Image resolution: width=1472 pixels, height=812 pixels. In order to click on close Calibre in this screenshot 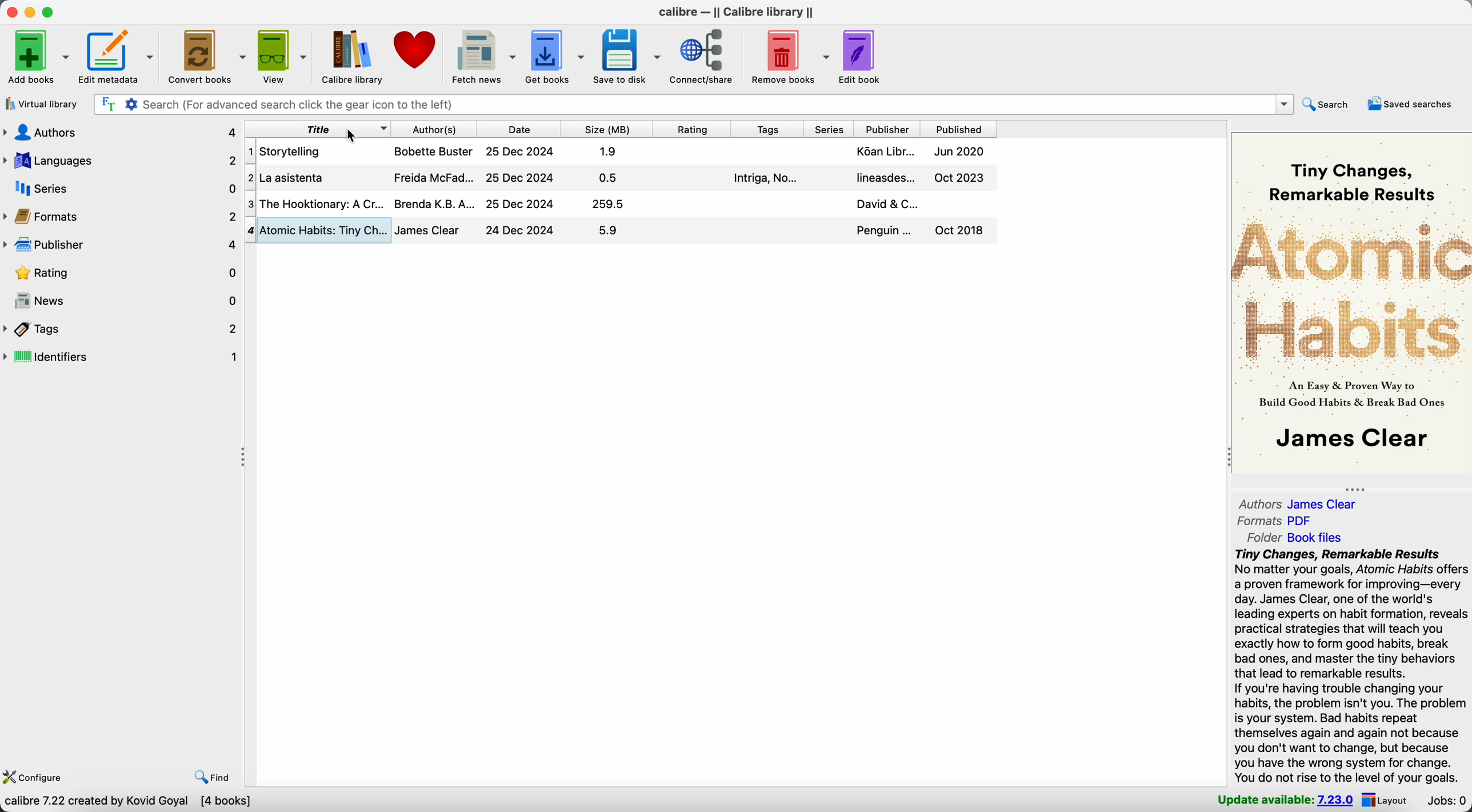, I will do `click(10, 12)`.